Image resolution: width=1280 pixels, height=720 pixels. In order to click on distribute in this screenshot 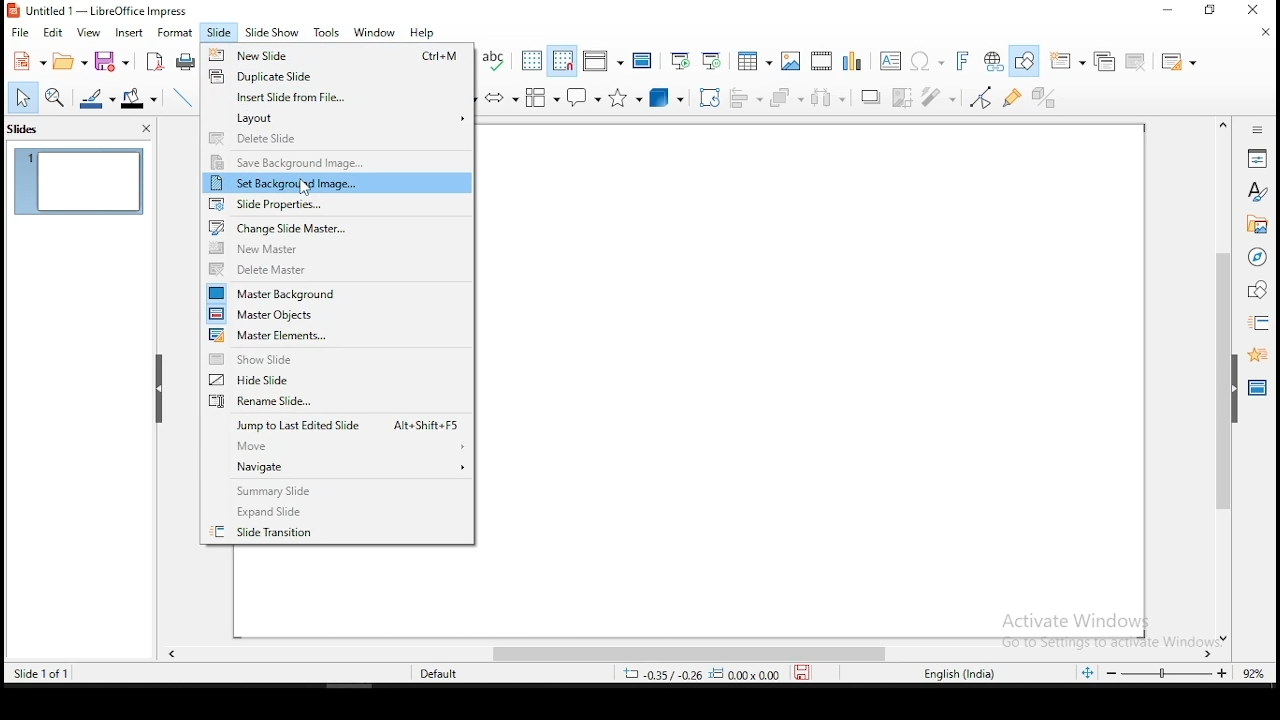, I will do `click(829, 99)`.